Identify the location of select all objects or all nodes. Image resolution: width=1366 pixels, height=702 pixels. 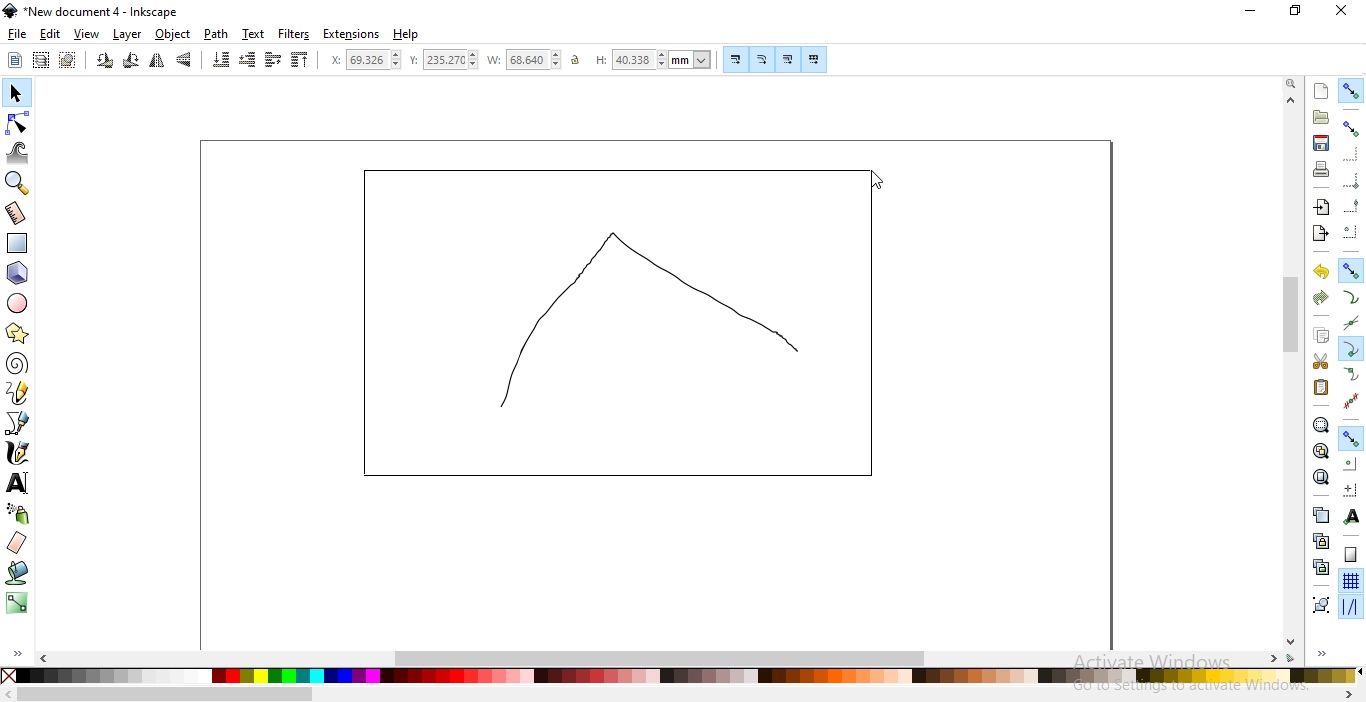
(15, 61).